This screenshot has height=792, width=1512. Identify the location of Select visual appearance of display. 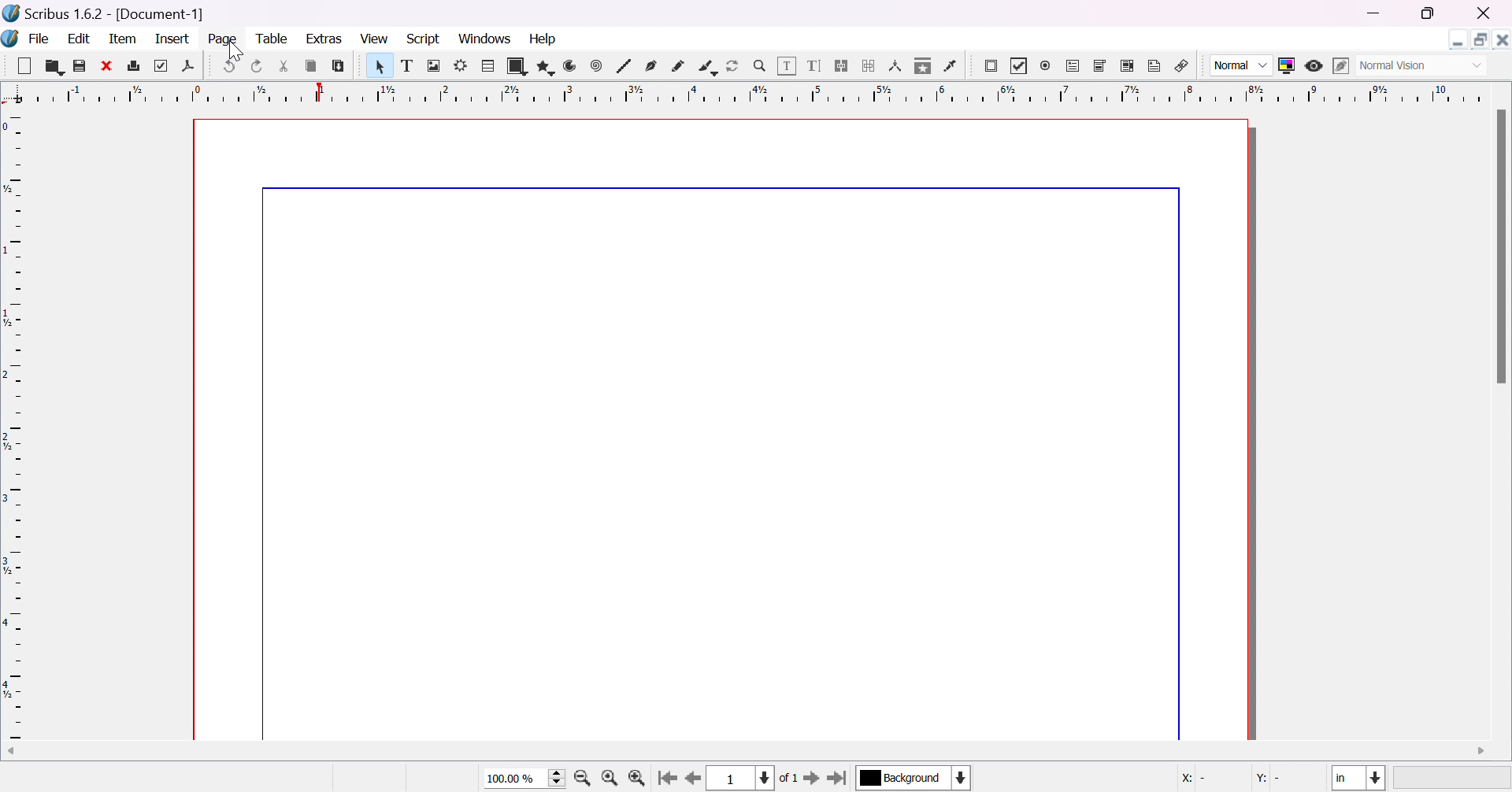
(1422, 67).